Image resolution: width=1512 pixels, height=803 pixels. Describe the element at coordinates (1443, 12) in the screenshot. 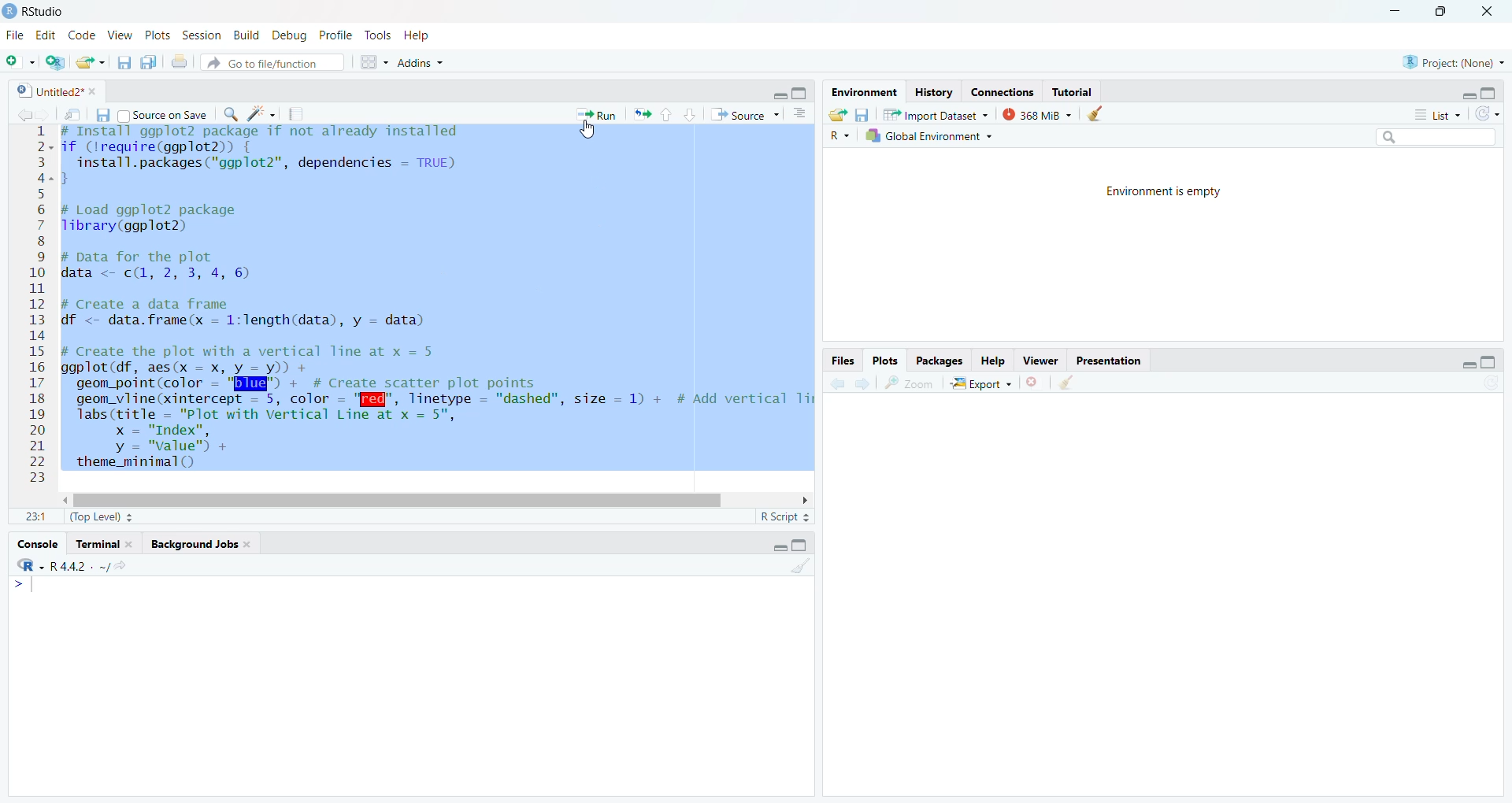

I see `maximise` at that location.